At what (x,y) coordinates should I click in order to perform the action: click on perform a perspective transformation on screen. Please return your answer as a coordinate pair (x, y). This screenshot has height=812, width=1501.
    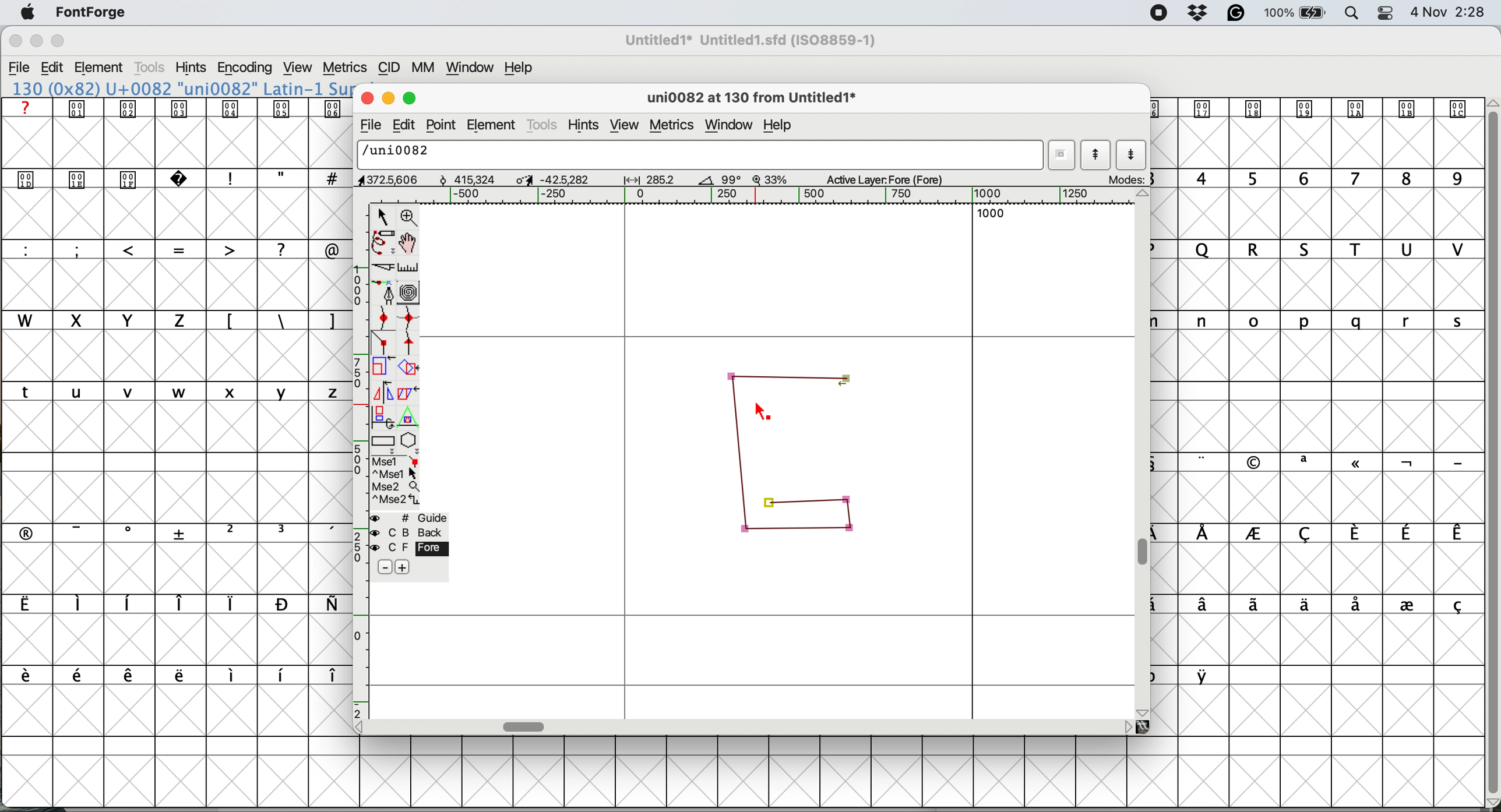
    Looking at the image, I should click on (410, 417).